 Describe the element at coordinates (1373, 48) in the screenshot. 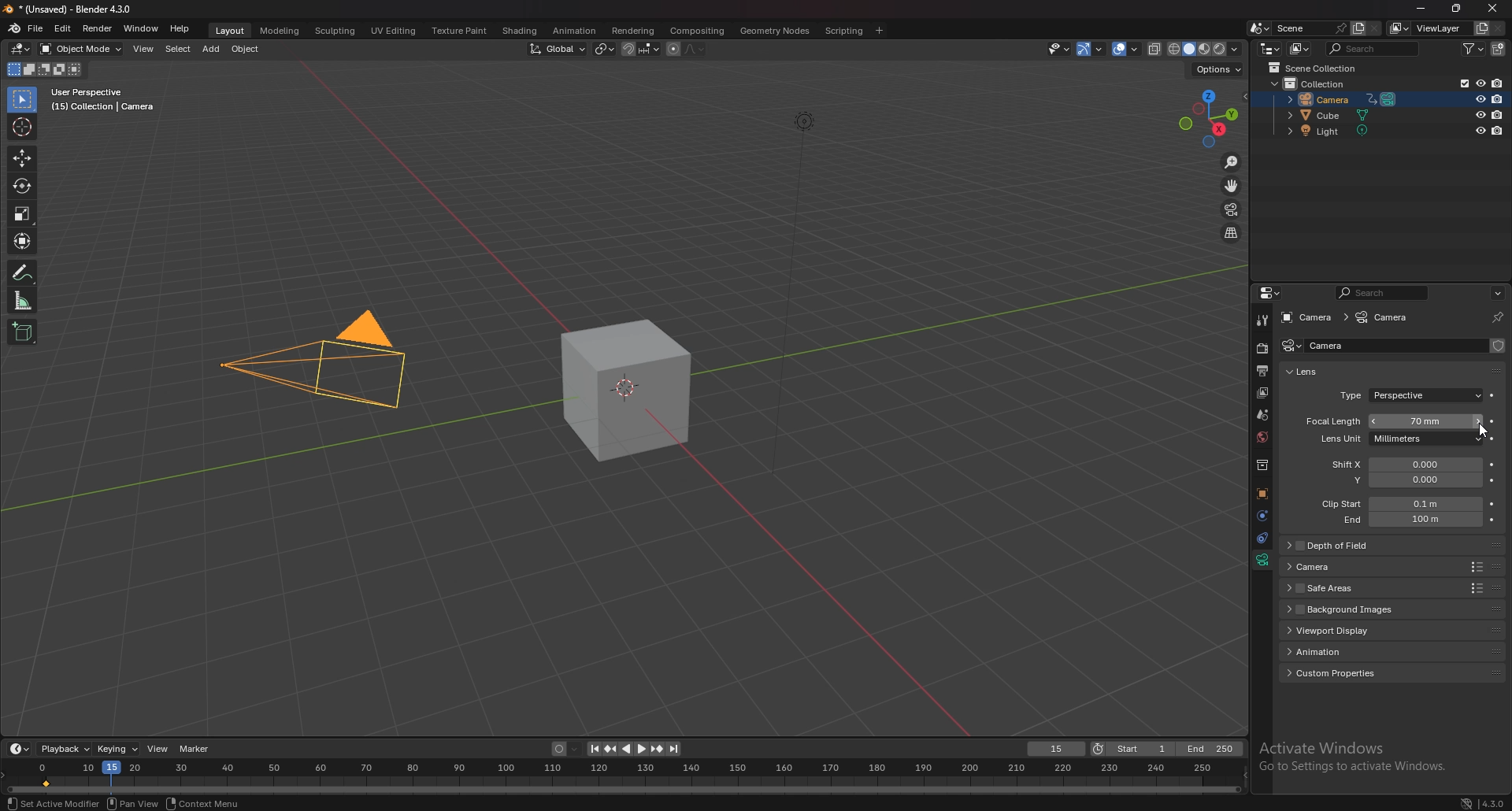

I see `search` at that location.